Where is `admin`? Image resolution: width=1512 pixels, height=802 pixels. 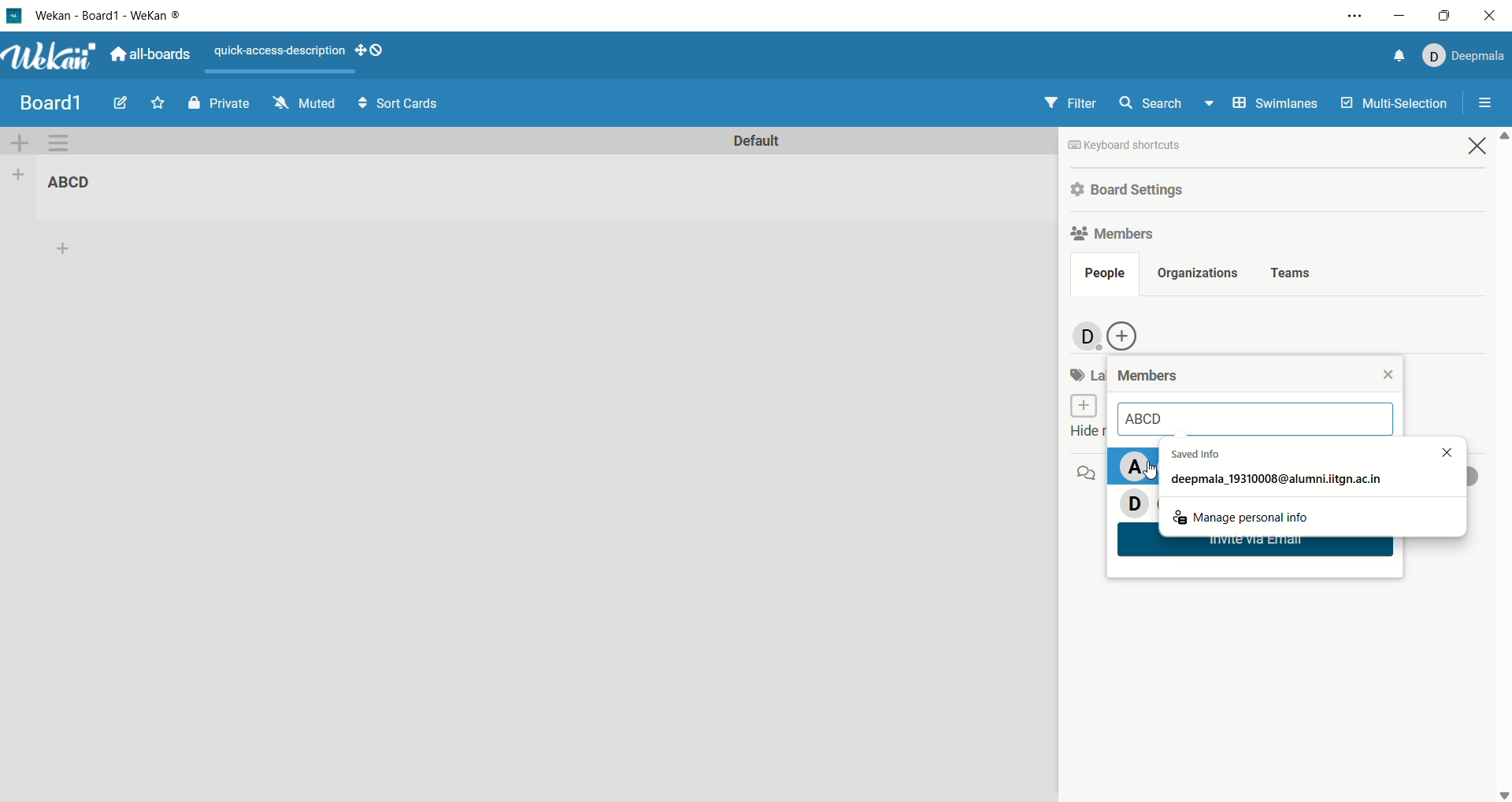
admin is located at coordinates (1084, 337).